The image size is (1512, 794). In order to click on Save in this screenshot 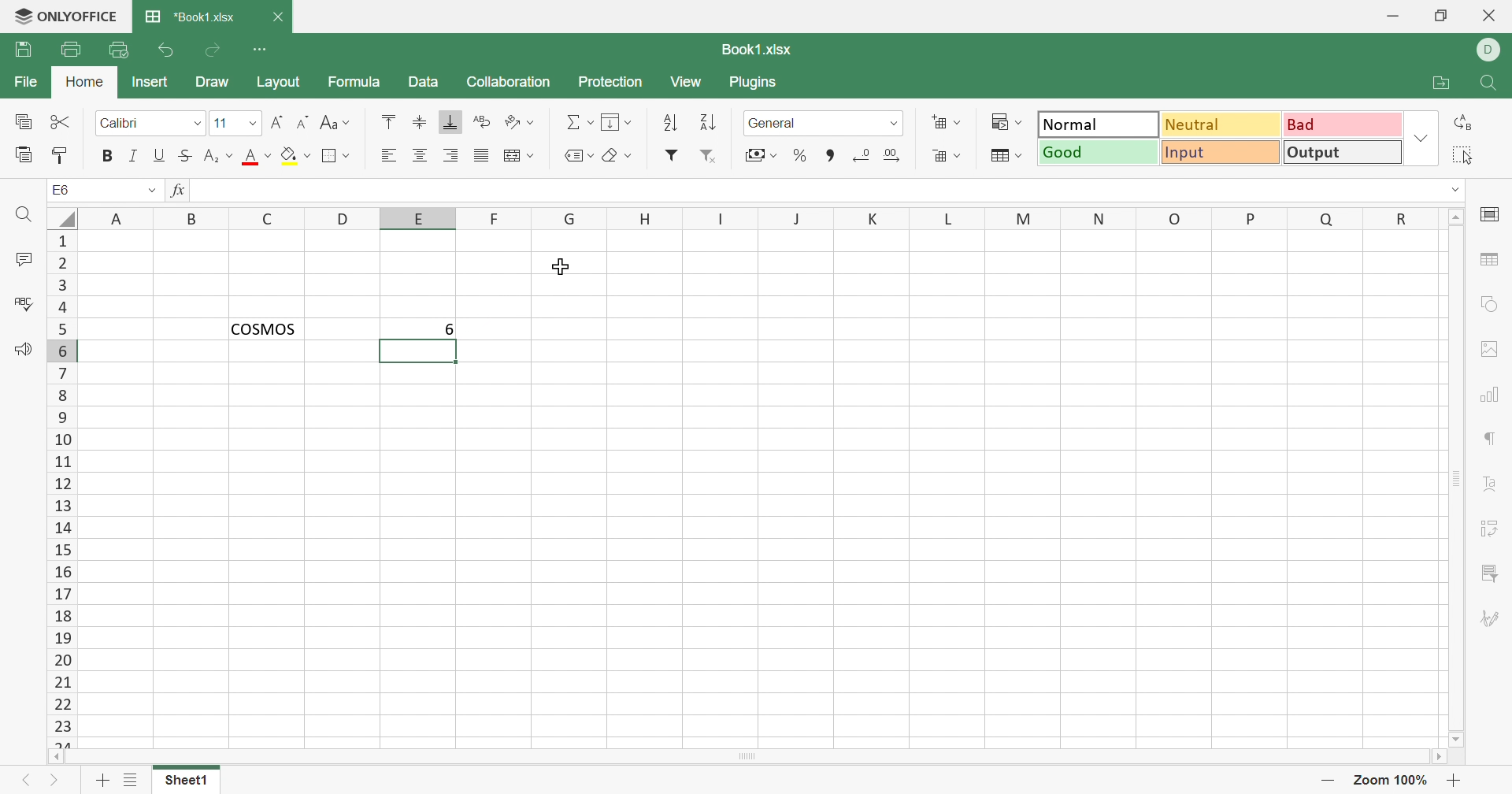, I will do `click(22, 50)`.